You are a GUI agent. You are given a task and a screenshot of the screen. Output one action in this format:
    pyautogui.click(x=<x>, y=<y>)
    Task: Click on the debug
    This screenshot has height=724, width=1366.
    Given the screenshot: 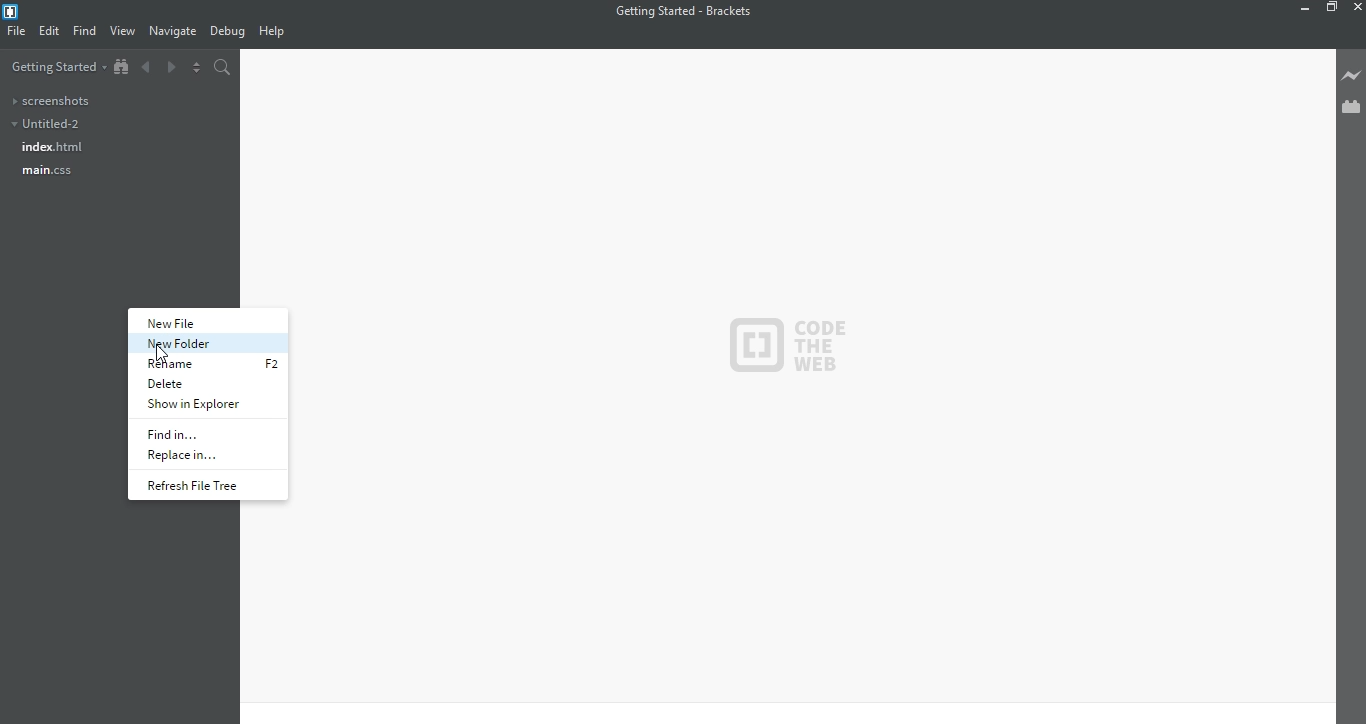 What is the action you would take?
    pyautogui.click(x=228, y=31)
    